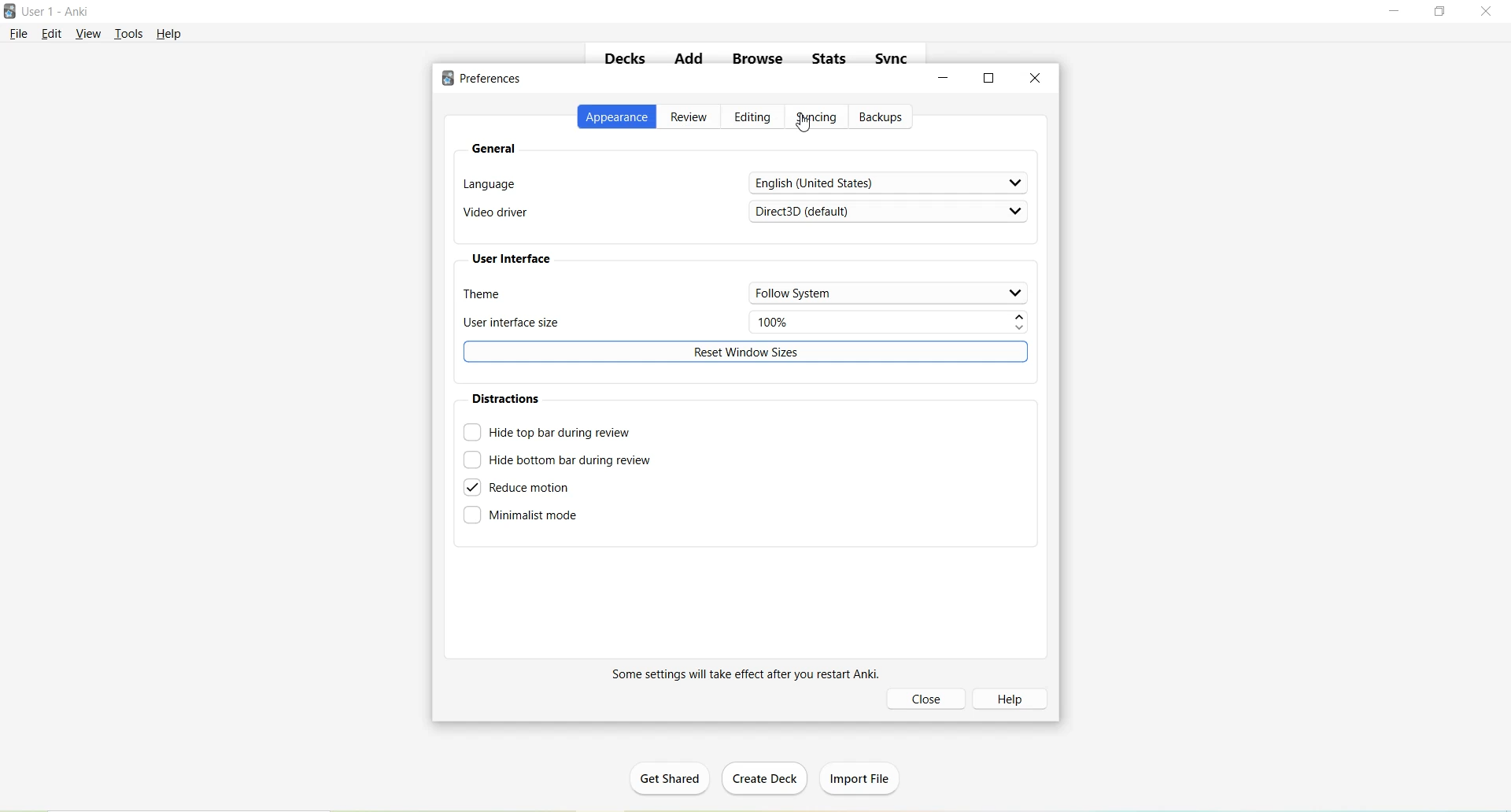 Image resolution: width=1511 pixels, height=812 pixels. What do you see at coordinates (1445, 13) in the screenshot?
I see `Maximize` at bounding box center [1445, 13].